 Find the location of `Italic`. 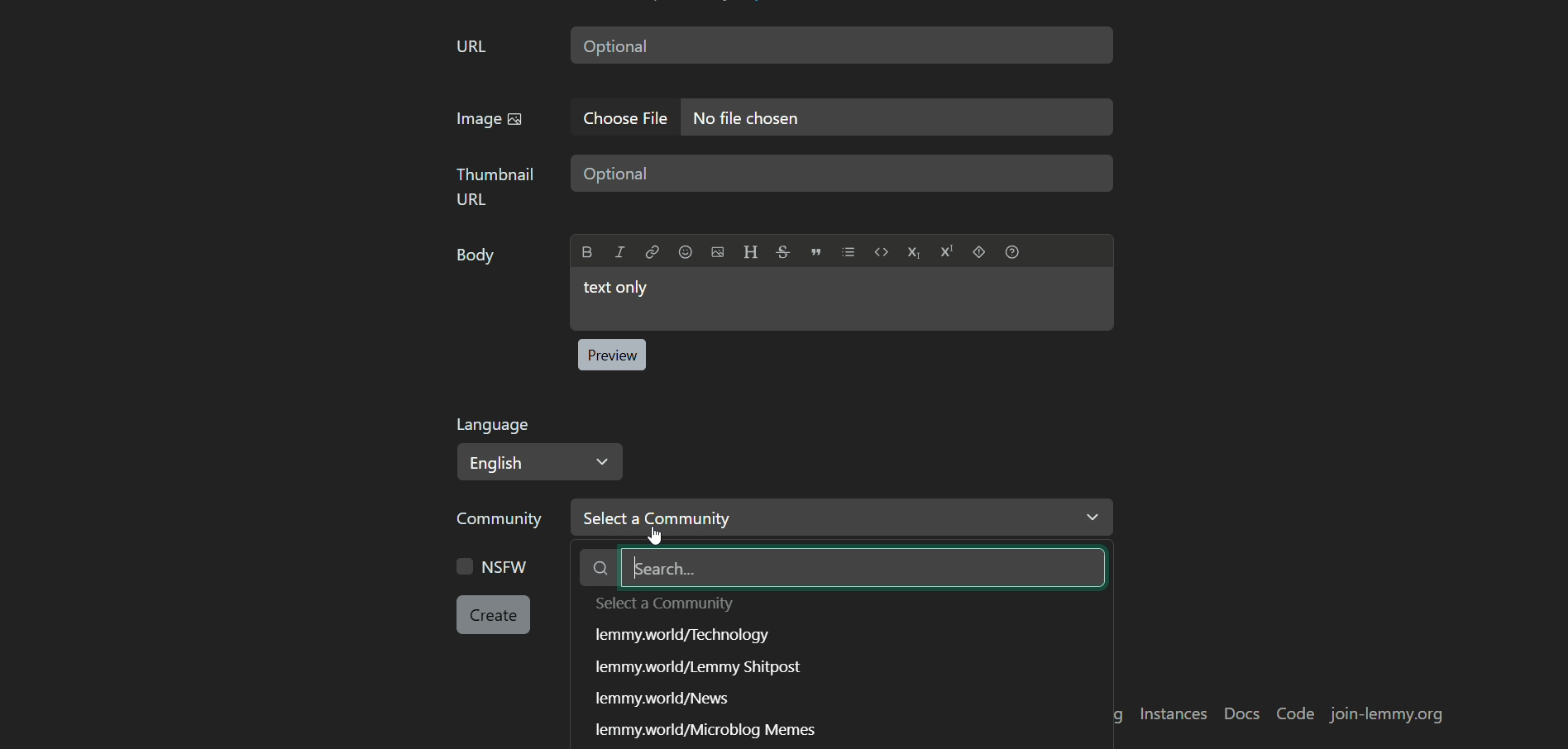

Italic is located at coordinates (619, 251).